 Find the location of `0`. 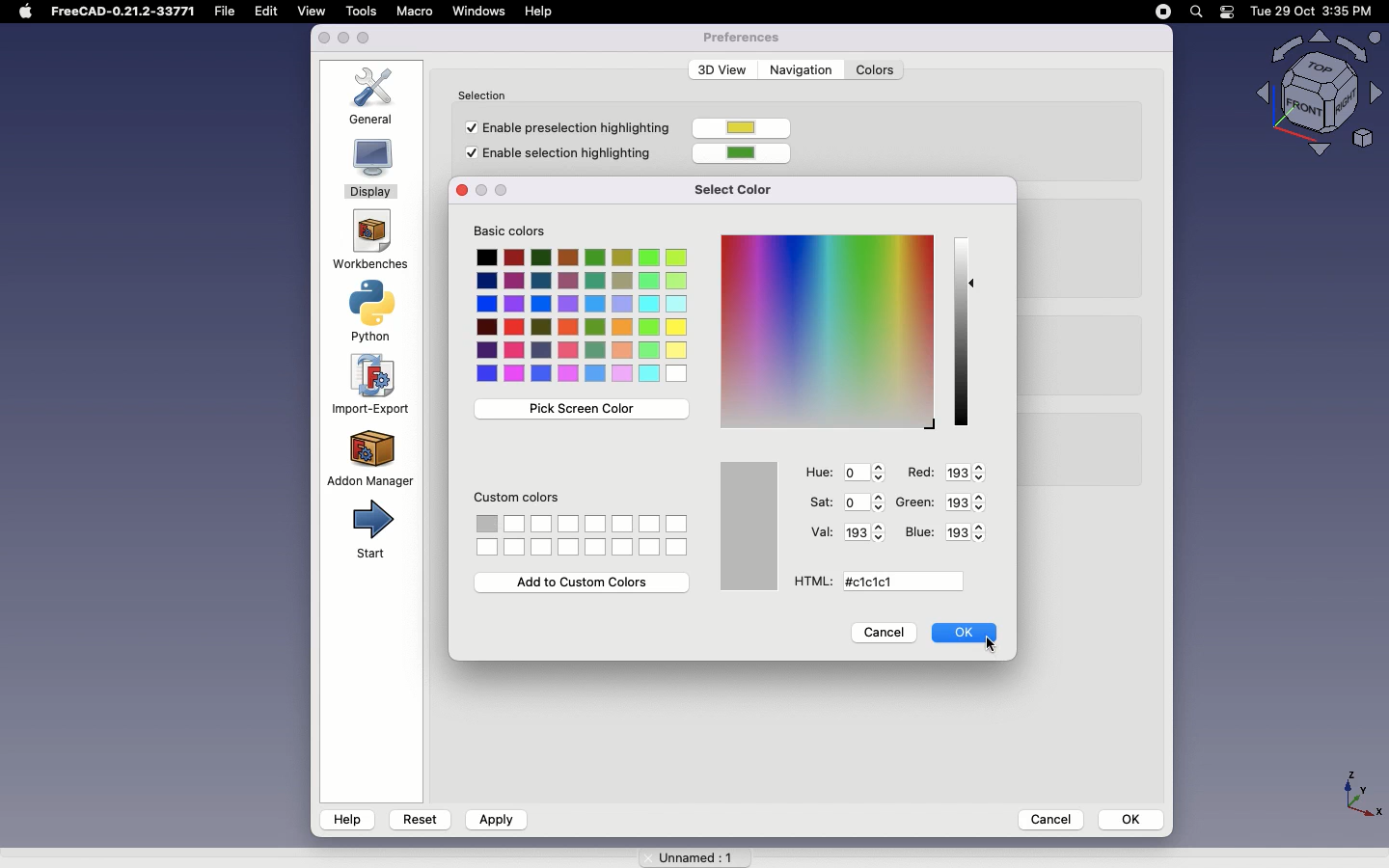

0 is located at coordinates (867, 473).